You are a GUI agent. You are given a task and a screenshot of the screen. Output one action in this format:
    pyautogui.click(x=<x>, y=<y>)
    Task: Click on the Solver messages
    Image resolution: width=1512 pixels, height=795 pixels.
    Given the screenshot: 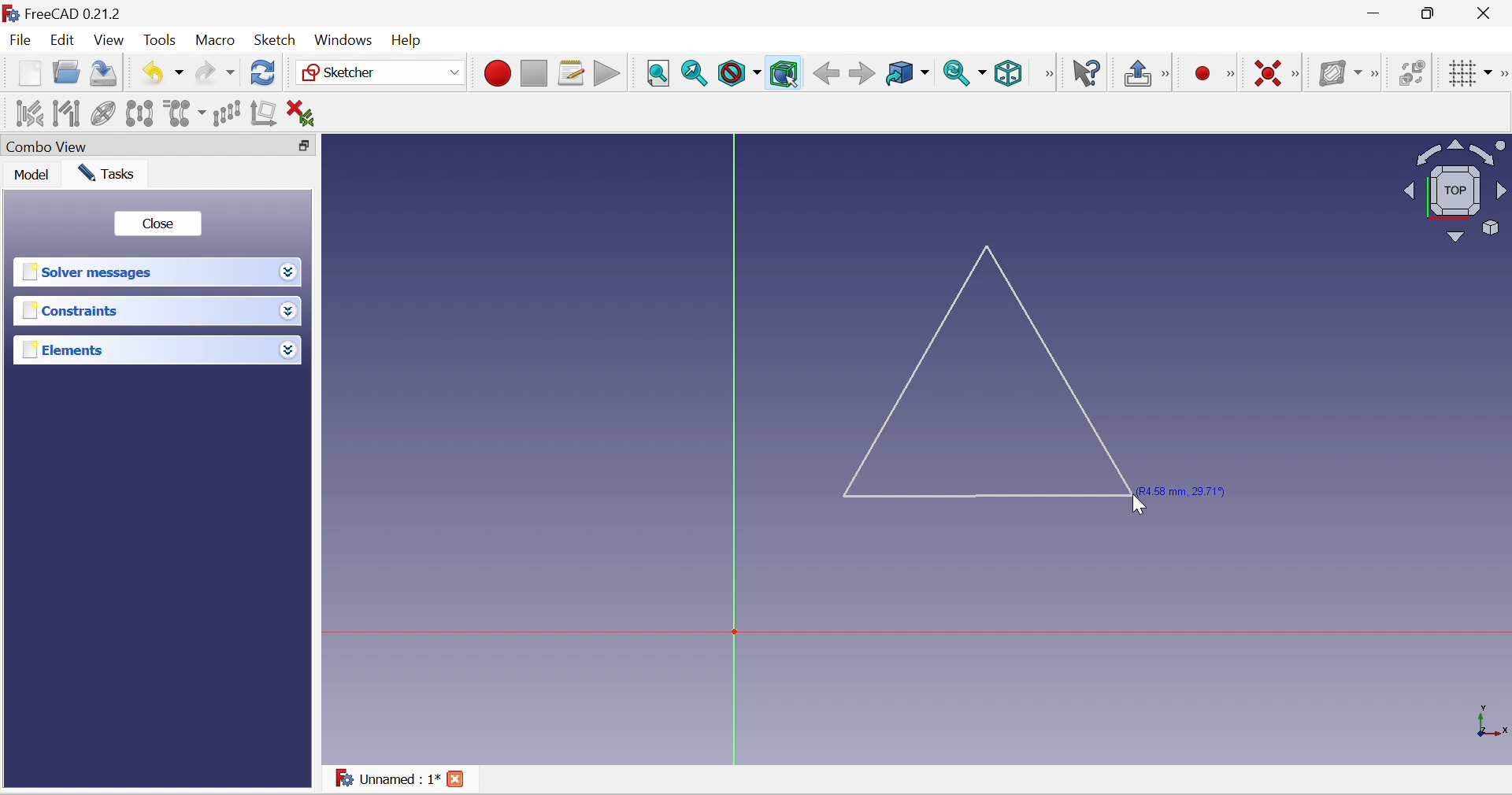 What is the action you would take?
    pyautogui.click(x=143, y=272)
    